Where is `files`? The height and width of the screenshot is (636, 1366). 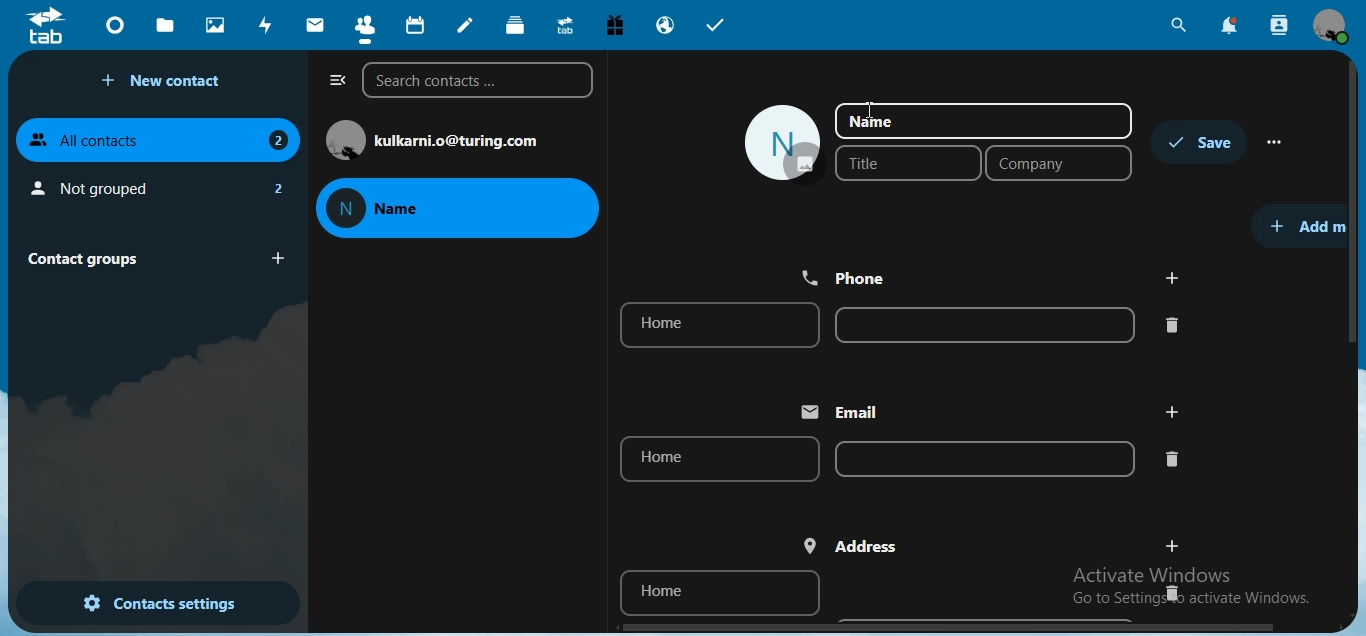 files is located at coordinates (168, 24).